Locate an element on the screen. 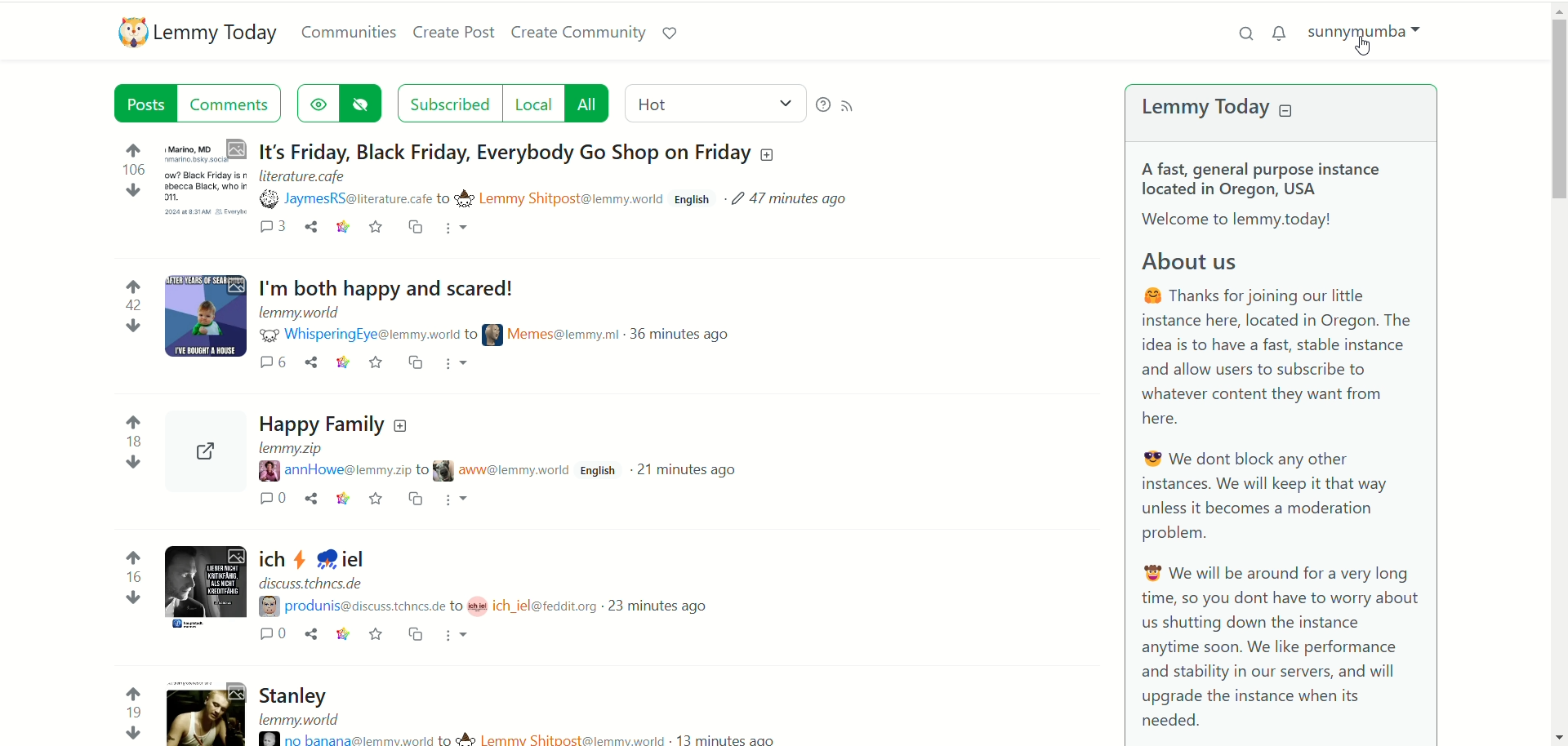 The image size is (1568, 746). posts is located at coordinates (143, 102).